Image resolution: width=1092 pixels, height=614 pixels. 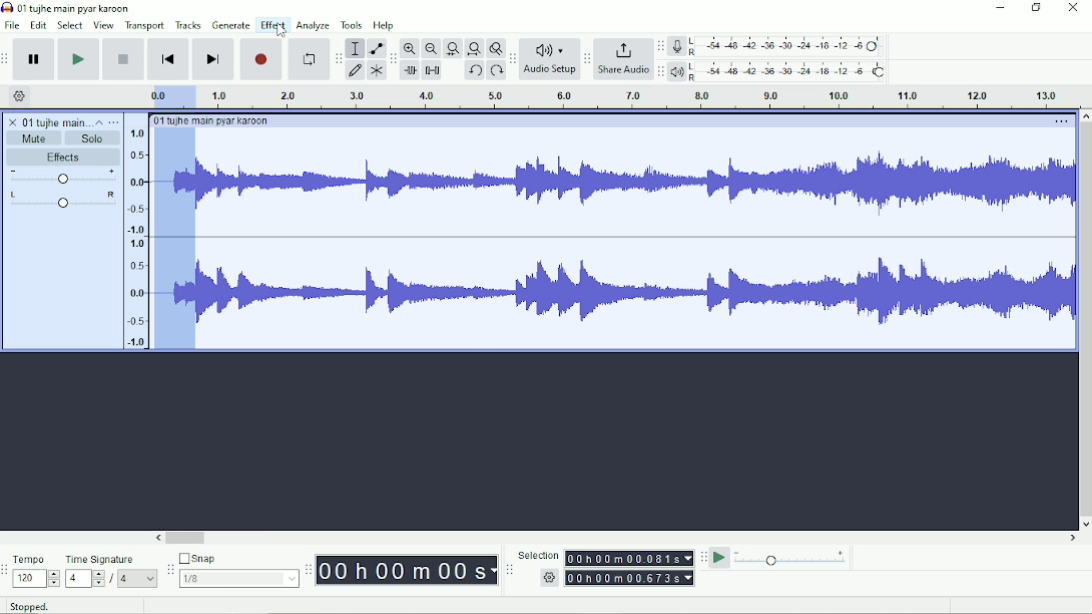 What do you see at coordinates (550, 72) in the screenshot?
I see `Audio Setup` at bounding box center [550, 72].